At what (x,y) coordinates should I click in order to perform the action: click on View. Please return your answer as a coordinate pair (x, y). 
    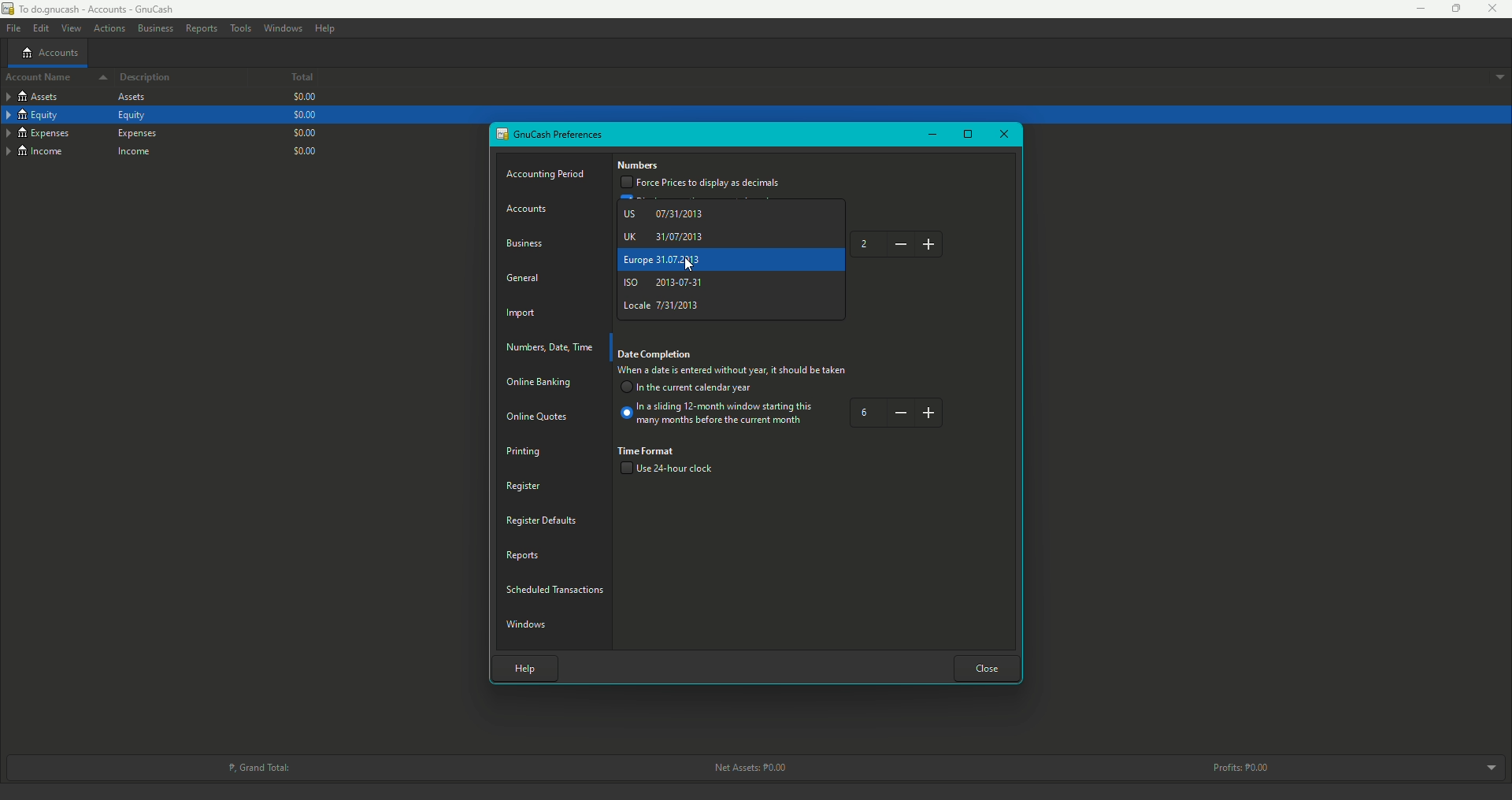
    Looking at the image, I should click on (70, 28).